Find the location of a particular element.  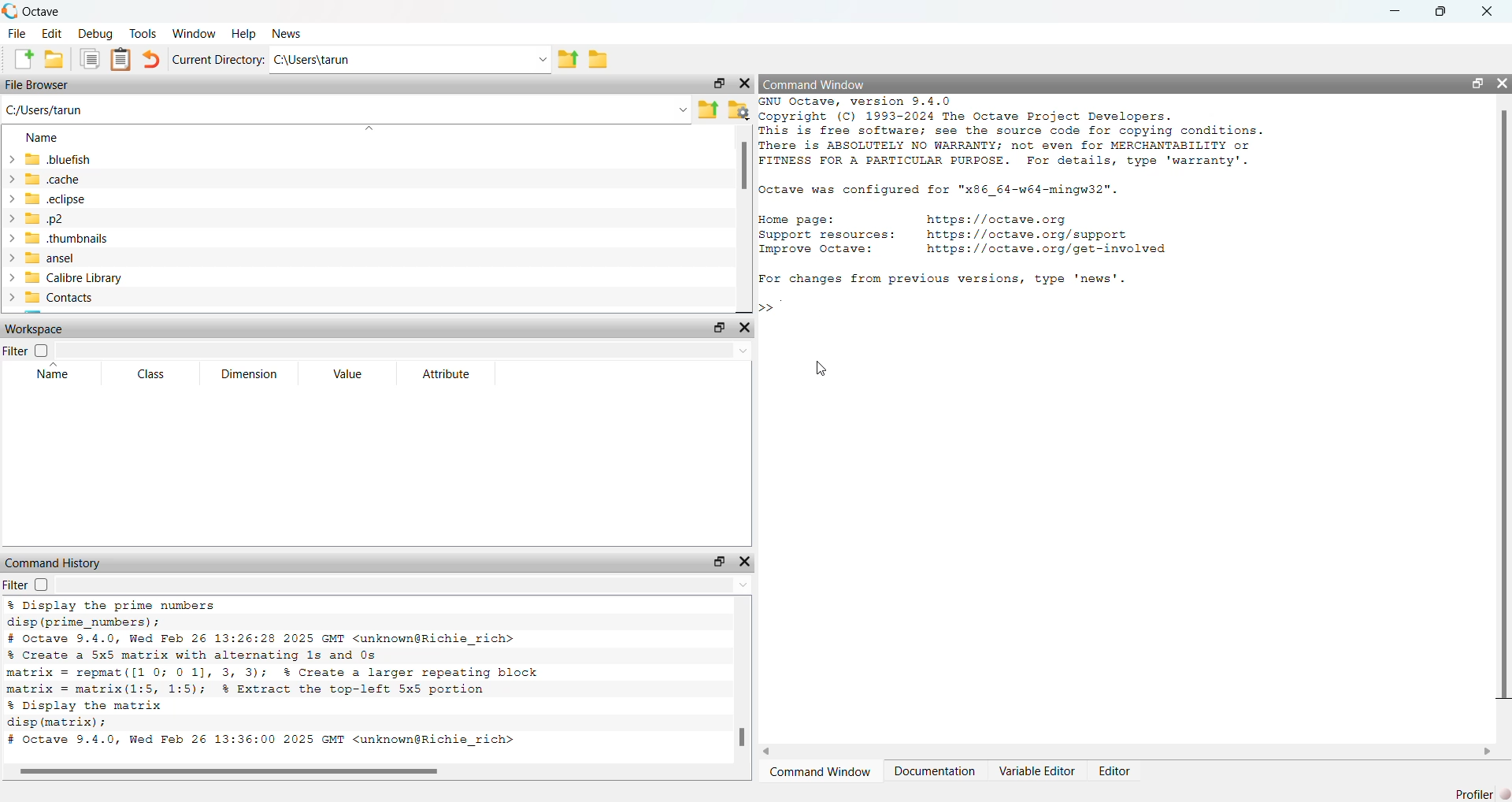

typing cursor is located at coordinates (787, 306).